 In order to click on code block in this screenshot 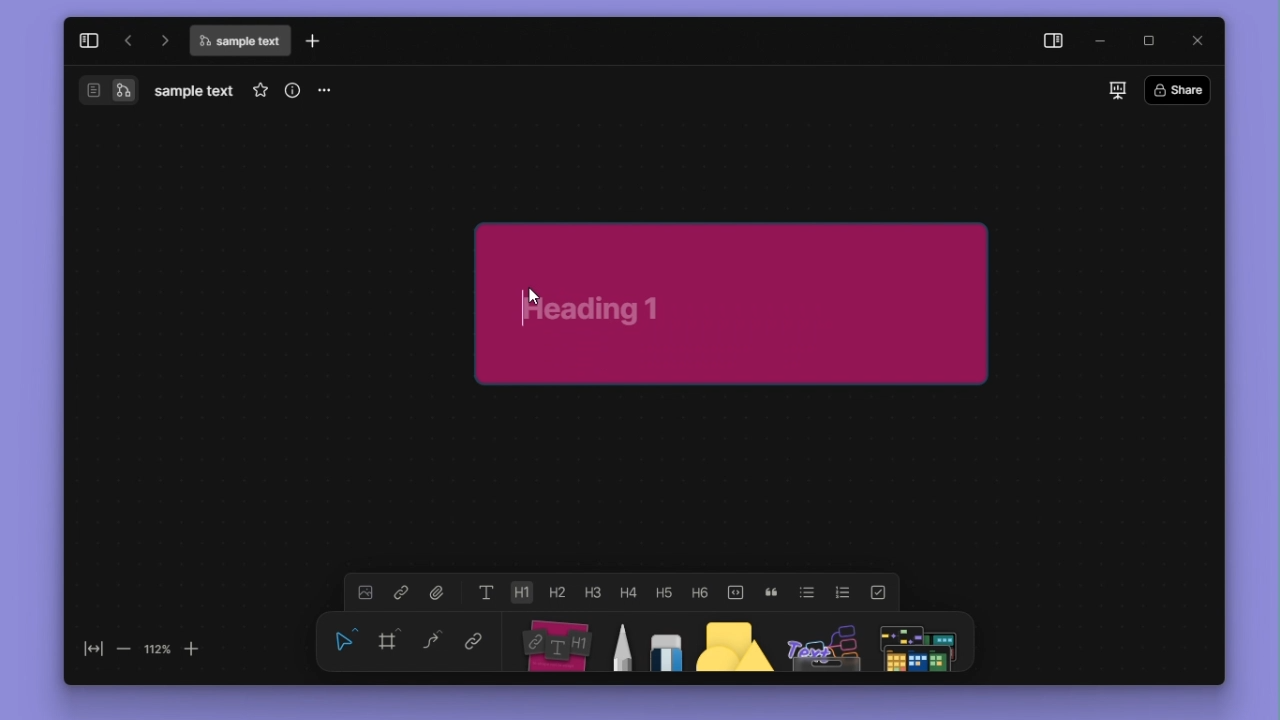, I will do `click(735, 593)`.